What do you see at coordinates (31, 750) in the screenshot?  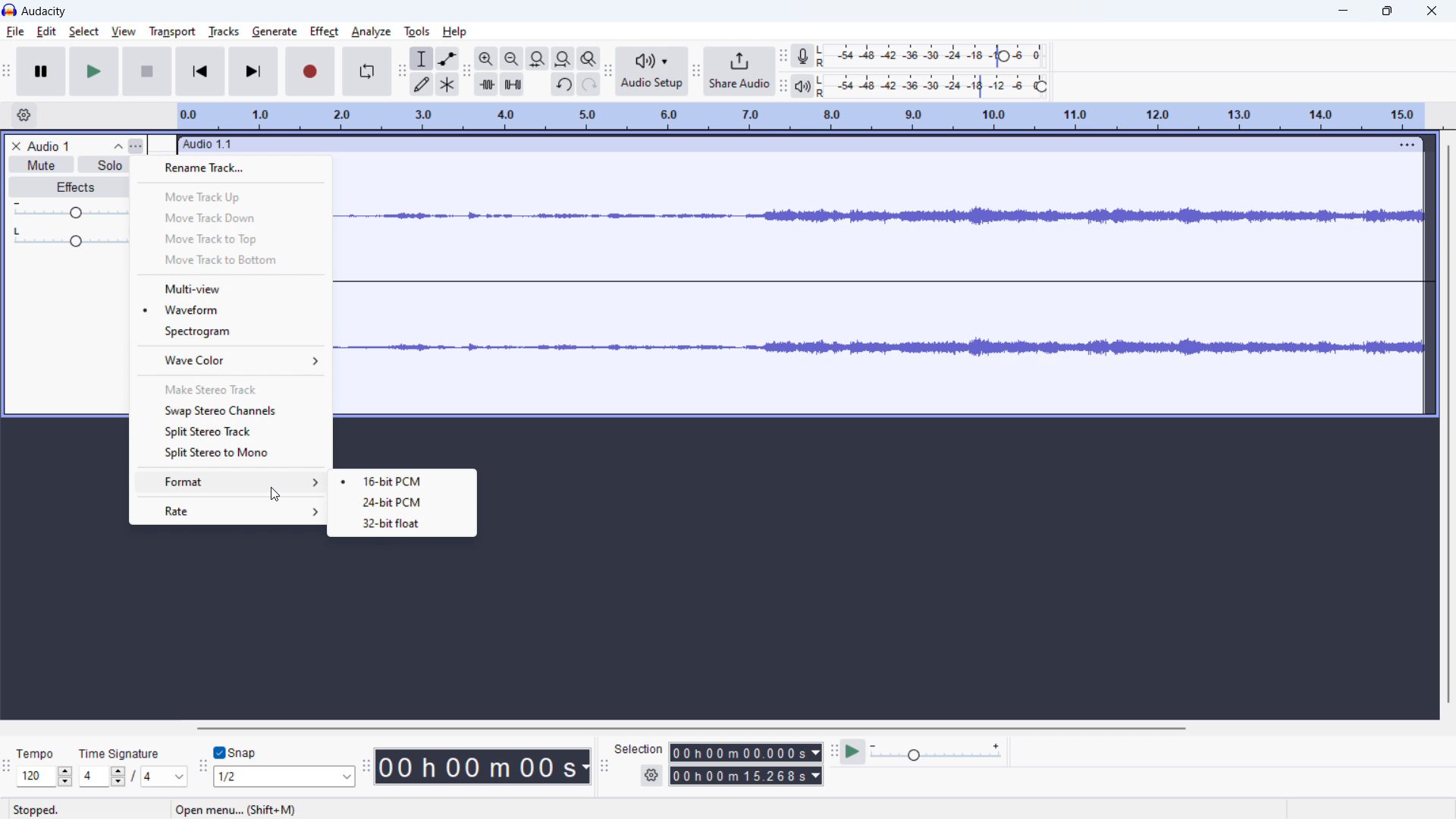 I see `Tempo` at bounding box center [31, 750].